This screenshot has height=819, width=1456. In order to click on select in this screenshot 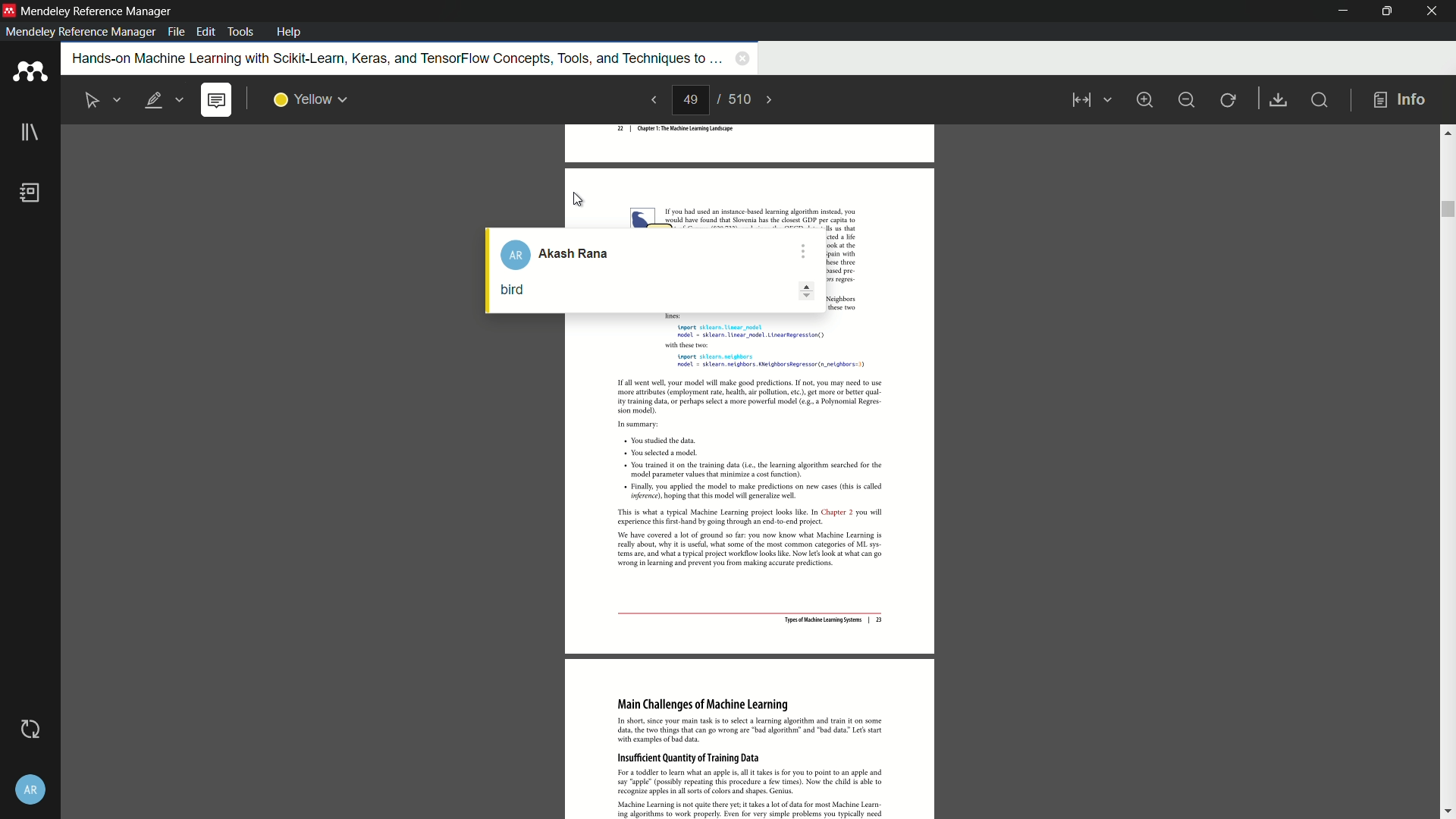, I will do `click(105, 99)`.